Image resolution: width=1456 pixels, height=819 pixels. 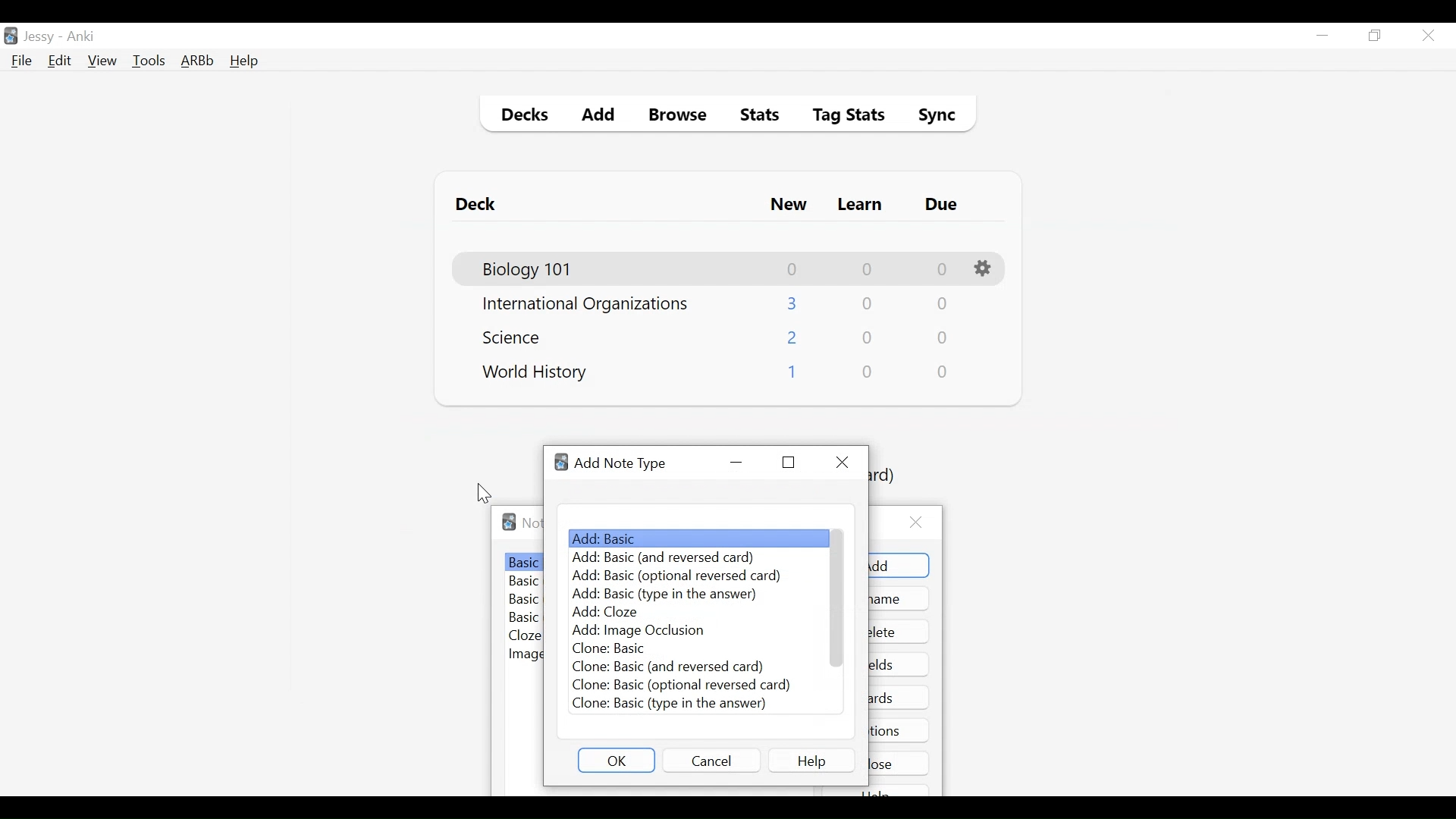 I want to click on Close, so click(x=1428, y=36).